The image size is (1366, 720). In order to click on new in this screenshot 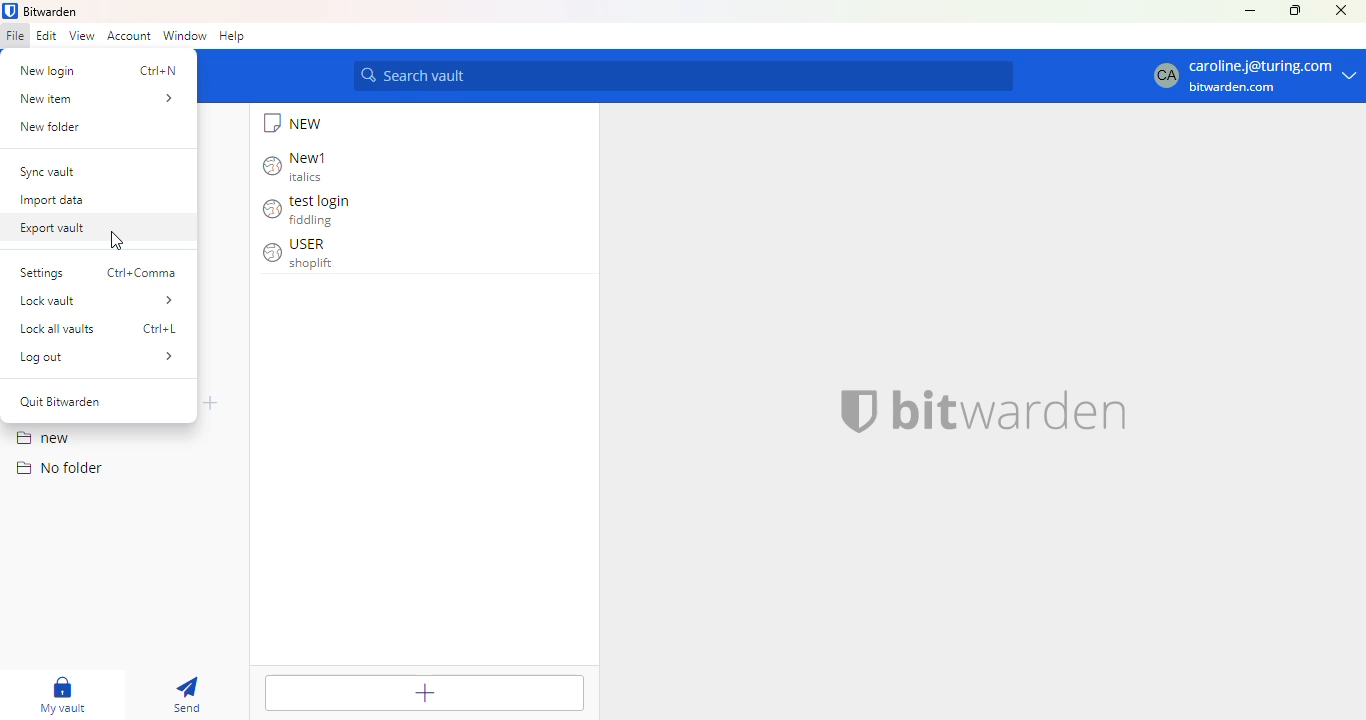, I will do `click(42, 439)`.